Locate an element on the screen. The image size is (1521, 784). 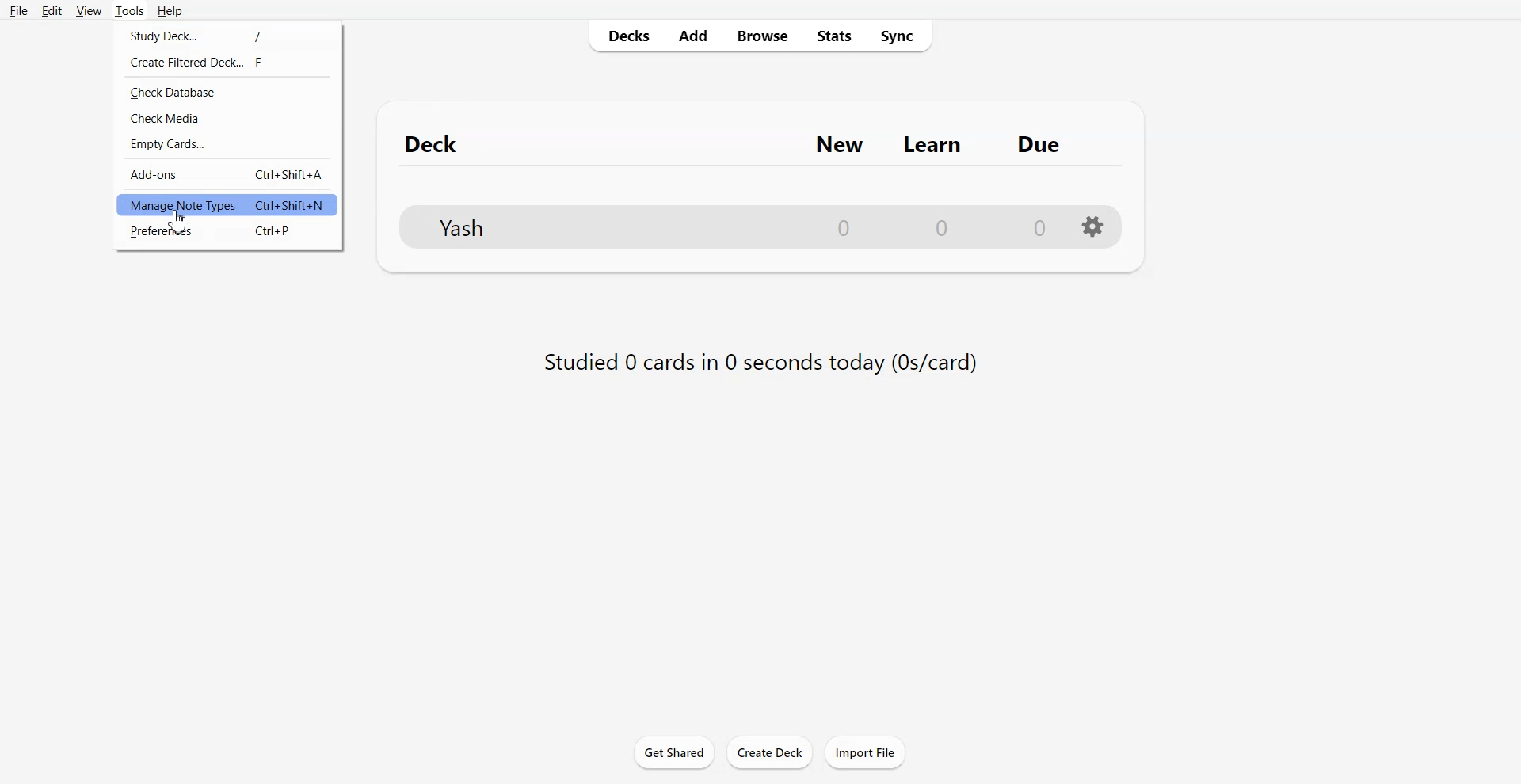
File is located at coordinates (729, 226).